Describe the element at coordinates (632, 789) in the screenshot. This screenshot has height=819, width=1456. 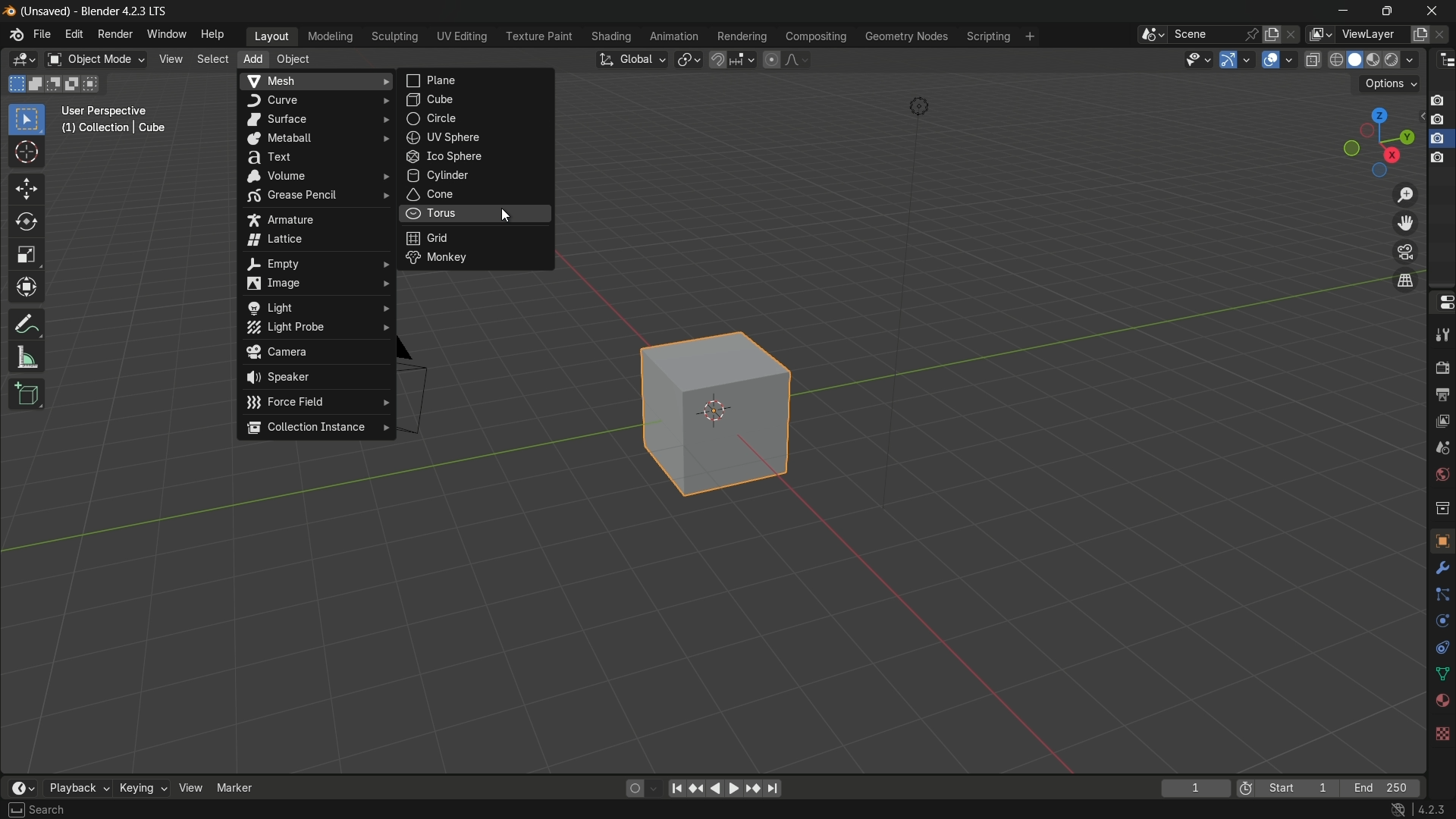
I see `auto keying` at that location.